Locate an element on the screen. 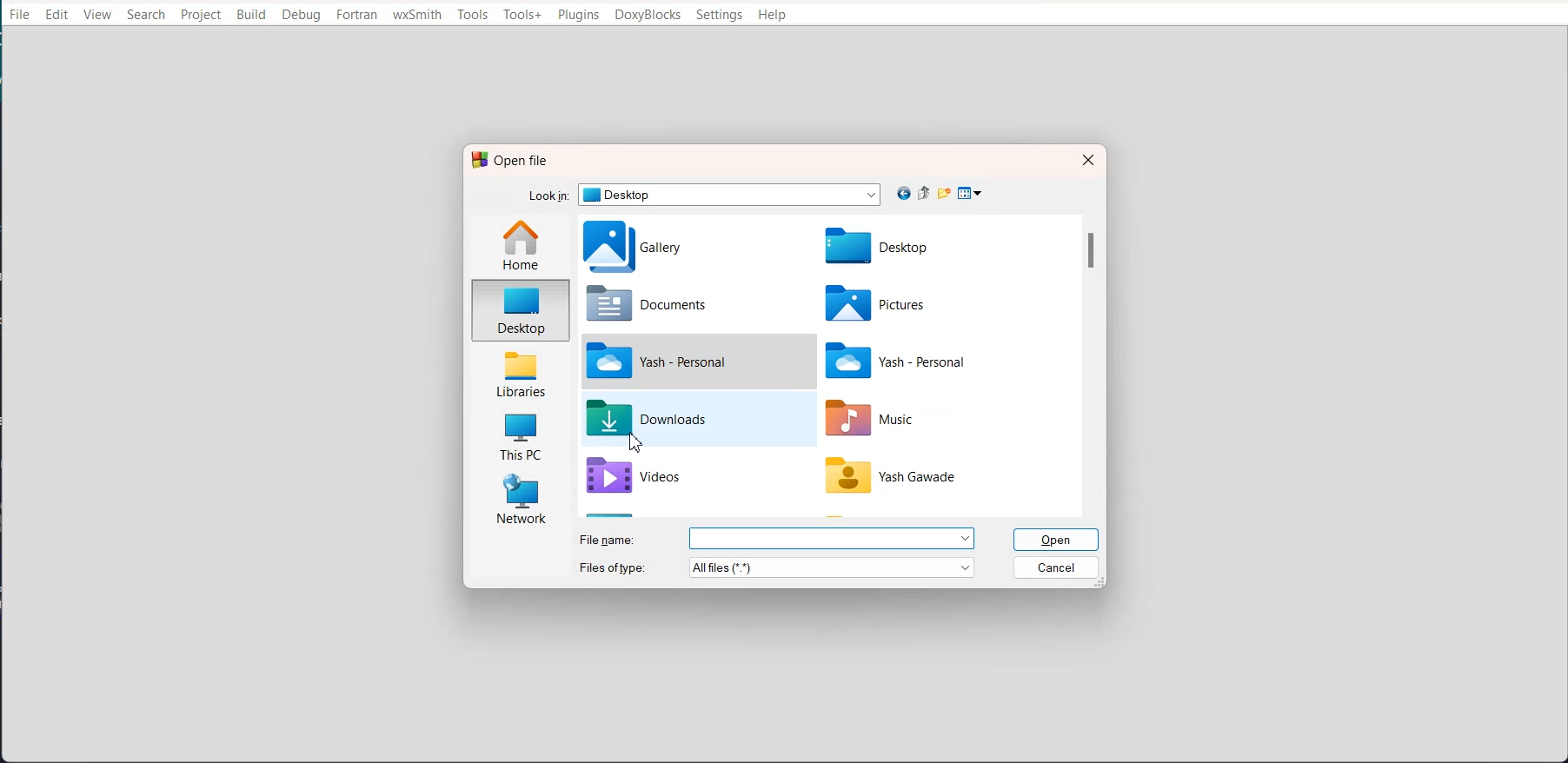  File name is located at coordinates (775, 538).